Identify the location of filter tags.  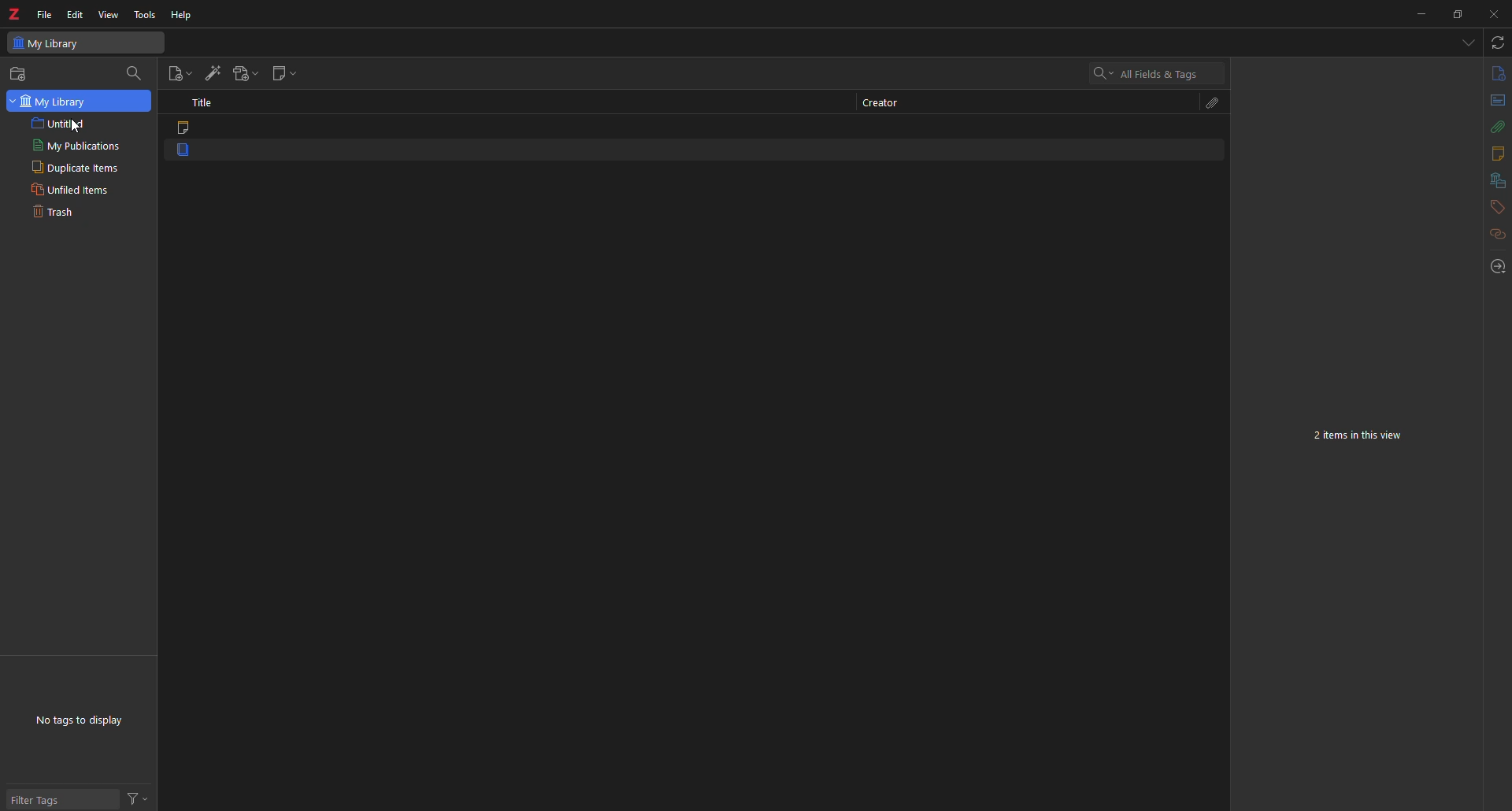
(43, 800).